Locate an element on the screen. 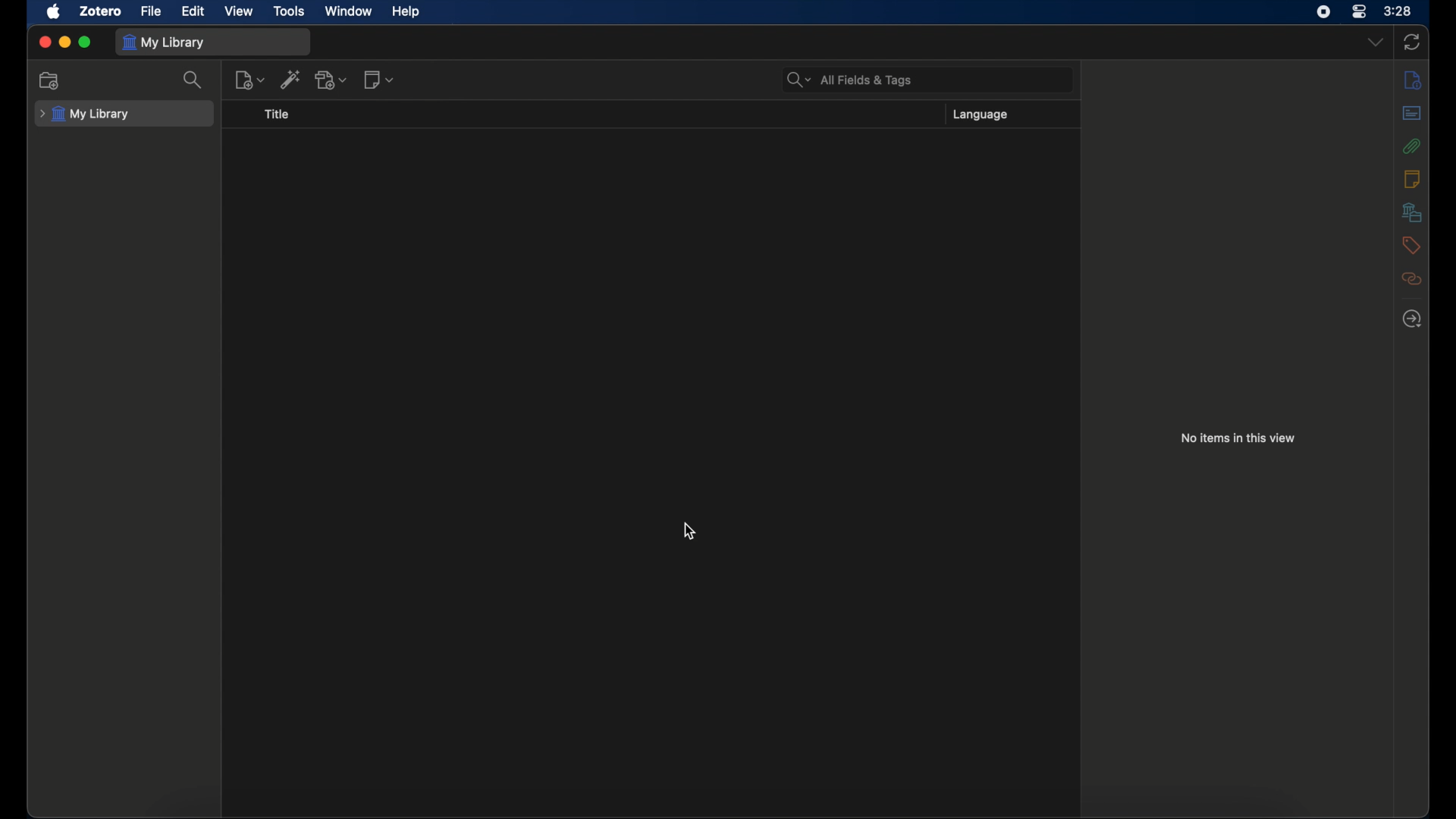 This screenshot has width=1456, height=819. my library is located at coordinates (86, 115).